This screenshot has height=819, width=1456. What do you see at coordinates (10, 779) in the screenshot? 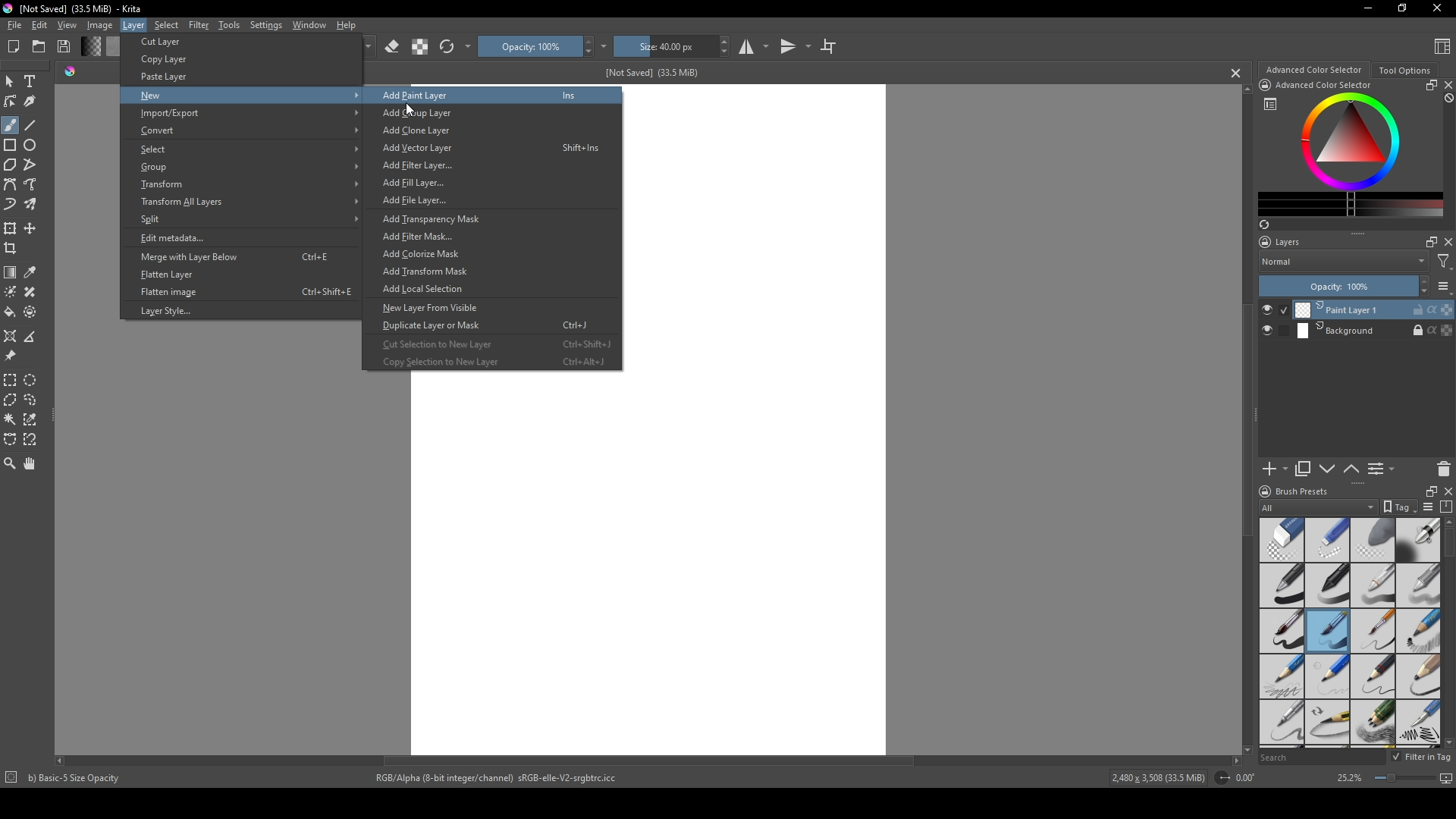
I see `icon` at bounding box center [10, 779].